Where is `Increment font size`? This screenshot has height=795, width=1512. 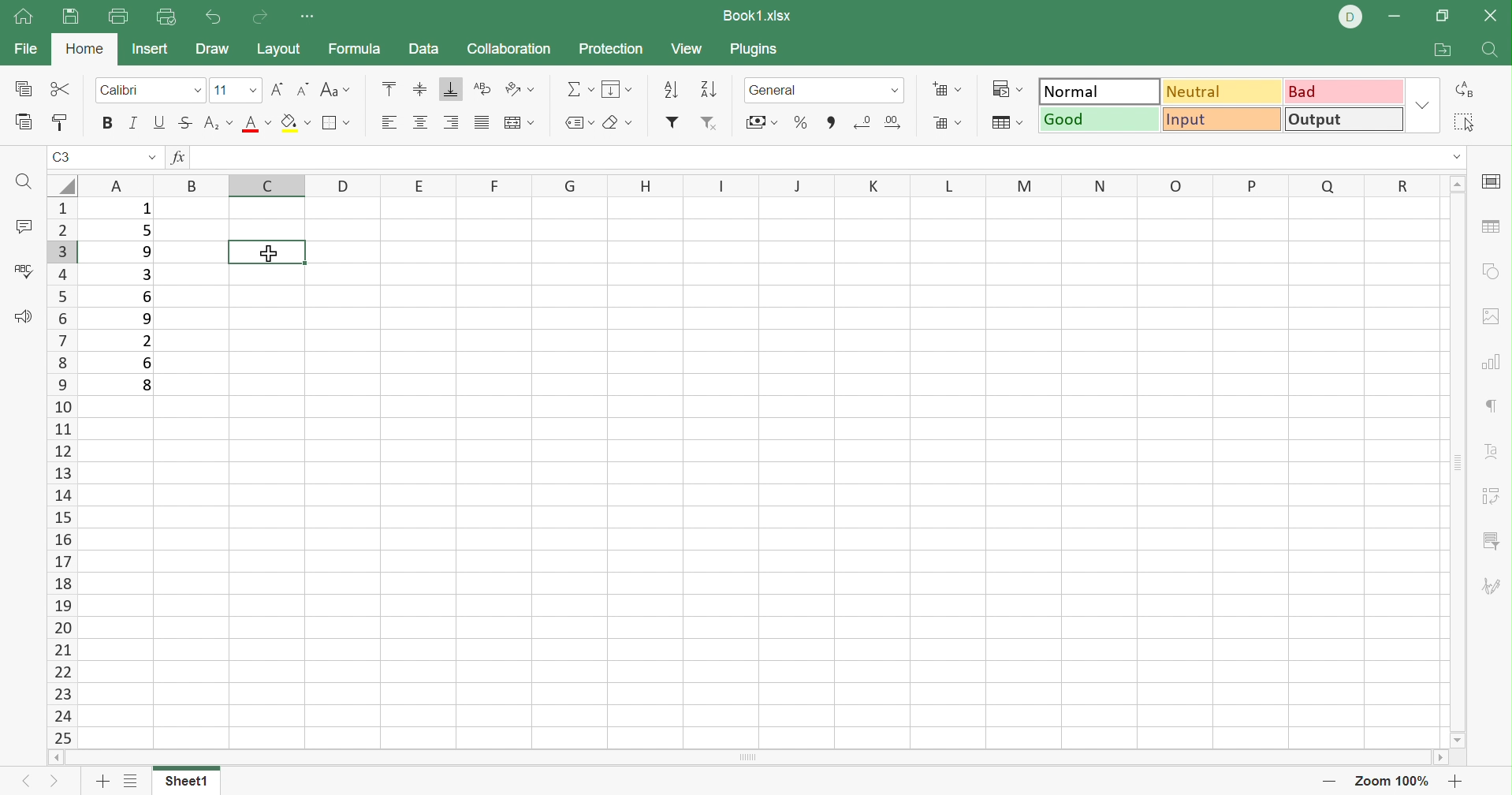 Increment font size is located at coordinates (277, 90).